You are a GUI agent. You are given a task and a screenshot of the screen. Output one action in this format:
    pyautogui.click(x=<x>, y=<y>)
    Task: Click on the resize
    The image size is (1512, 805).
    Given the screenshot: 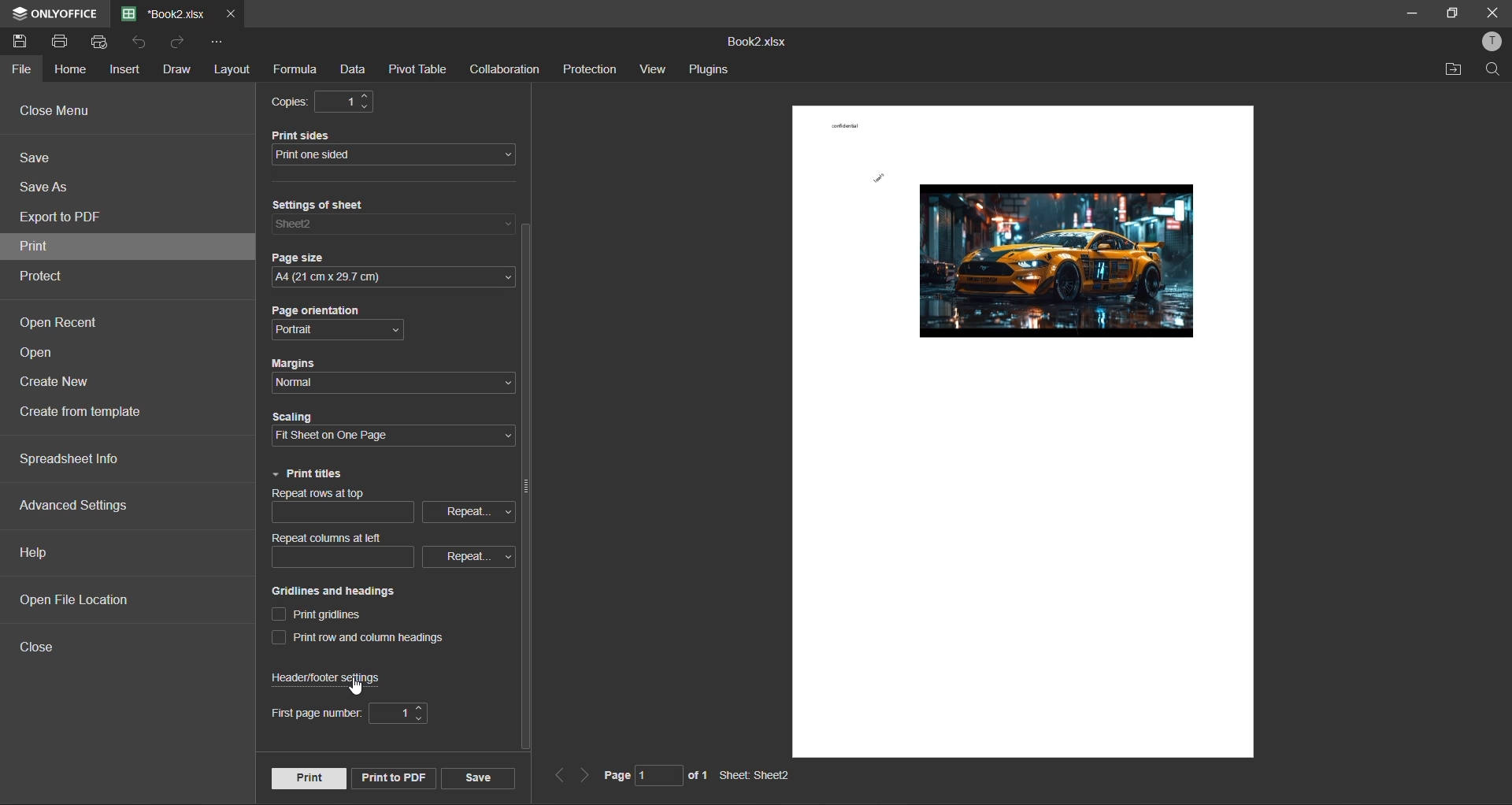 What is the action you would take?
    pyautogui.click(x=1451, y=15)
    